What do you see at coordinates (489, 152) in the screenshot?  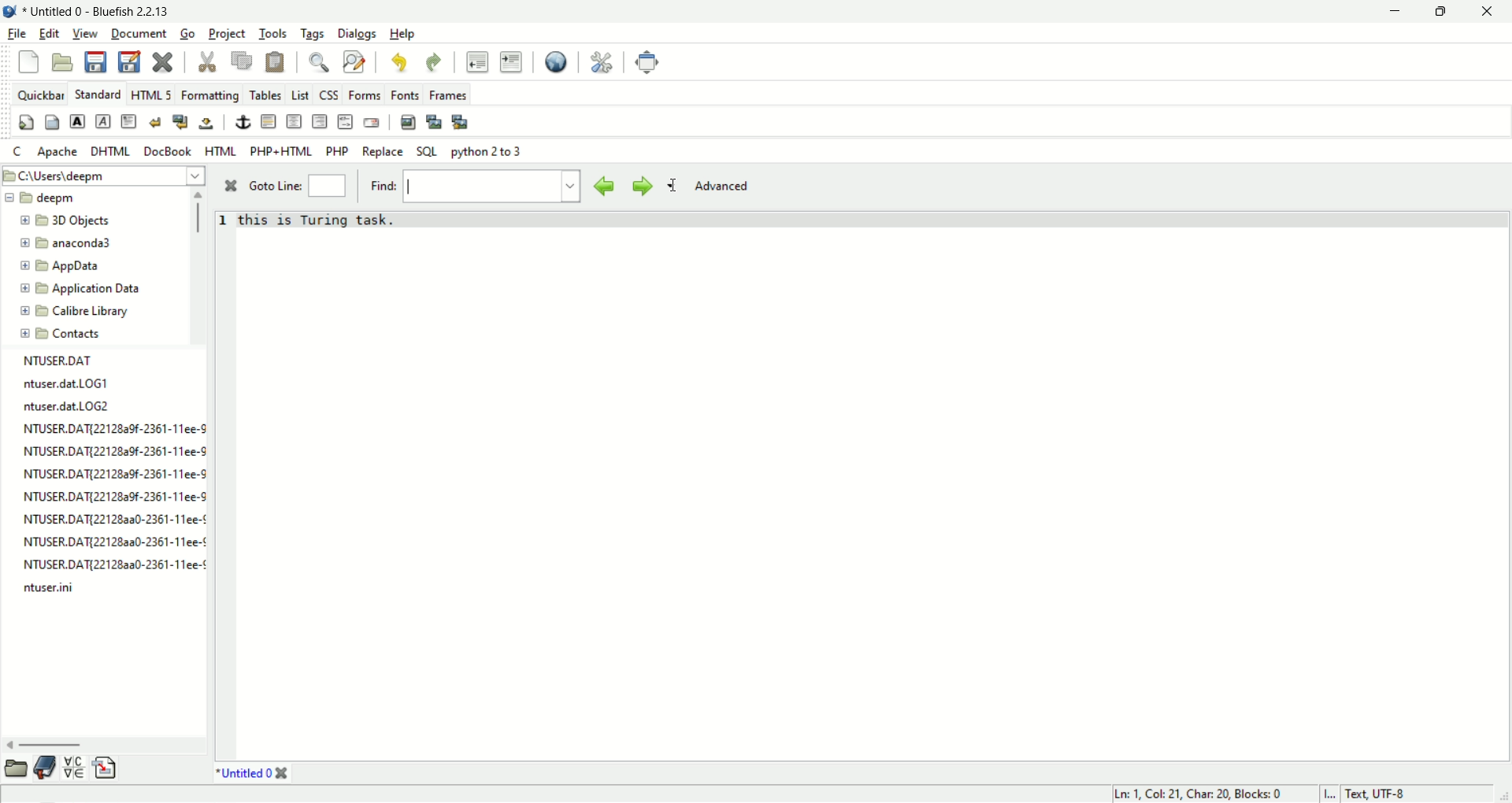 I see `python 2 to 3` at bounding box center [489, 152].